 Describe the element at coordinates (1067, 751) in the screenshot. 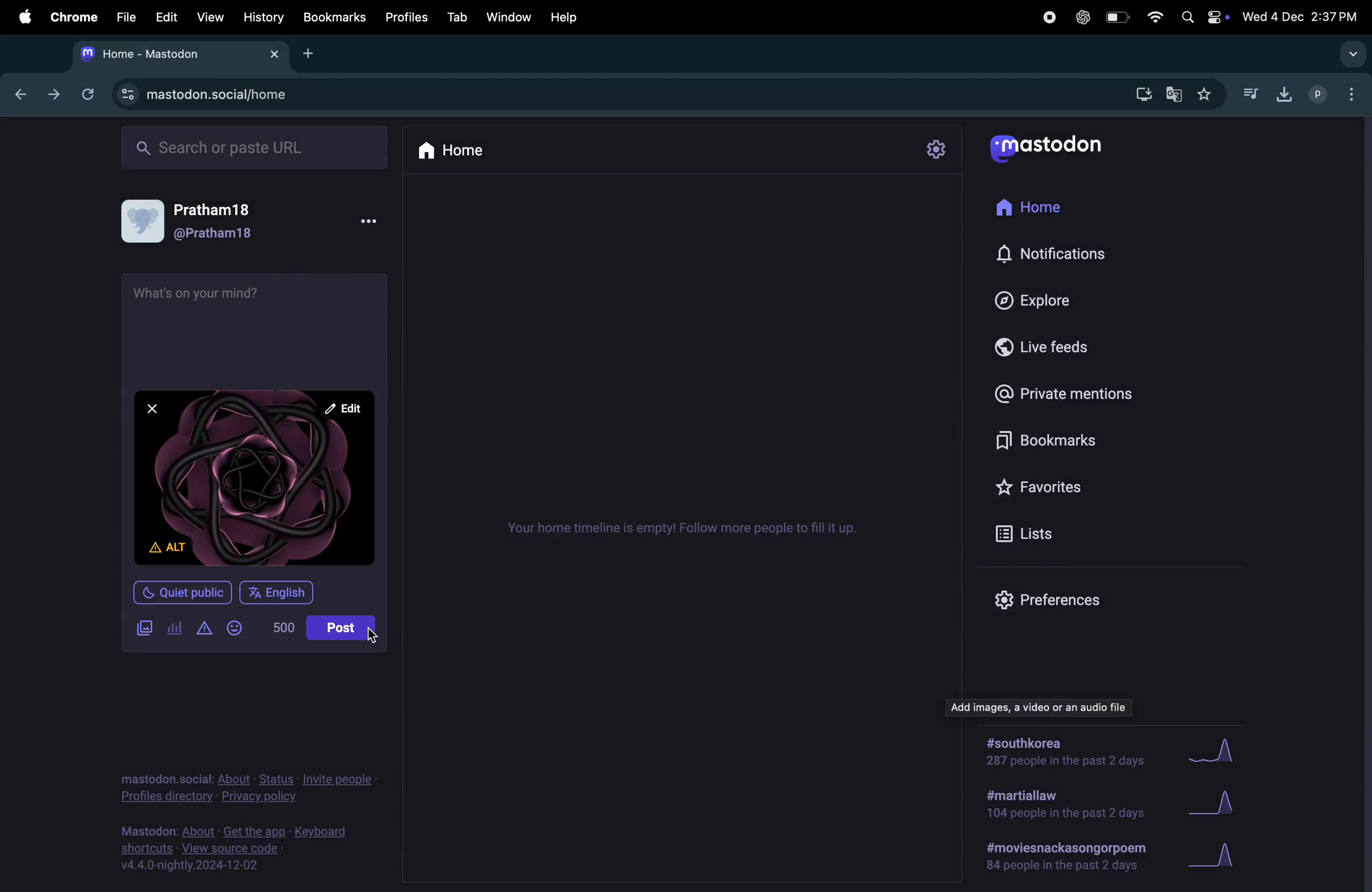

I see `#south korea` at that location.